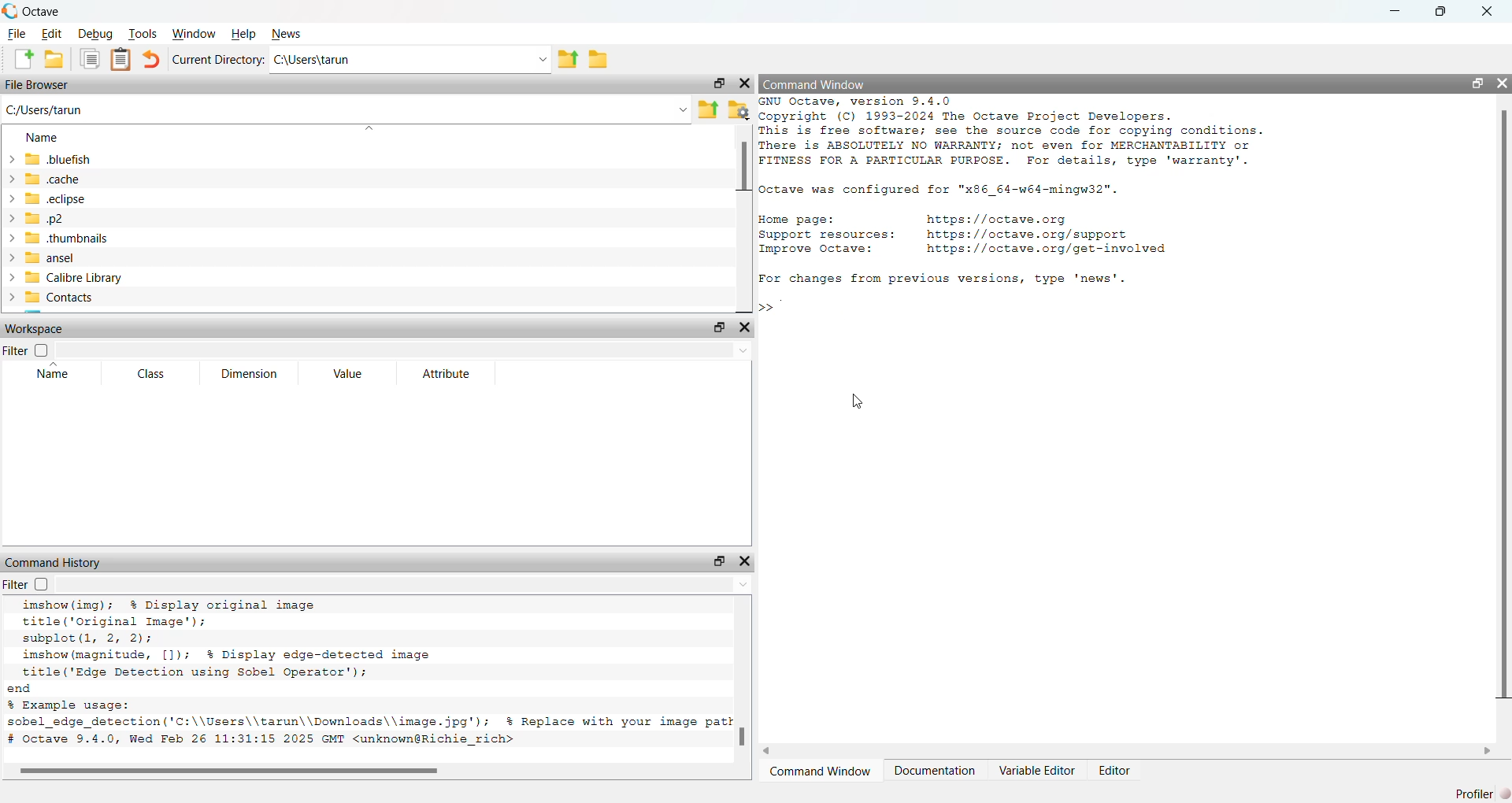 The image size is (1512, 803). What do you see at coordinates (49, 11) in the screenshot?
I see `Octave` at bounding box center [49, 11].